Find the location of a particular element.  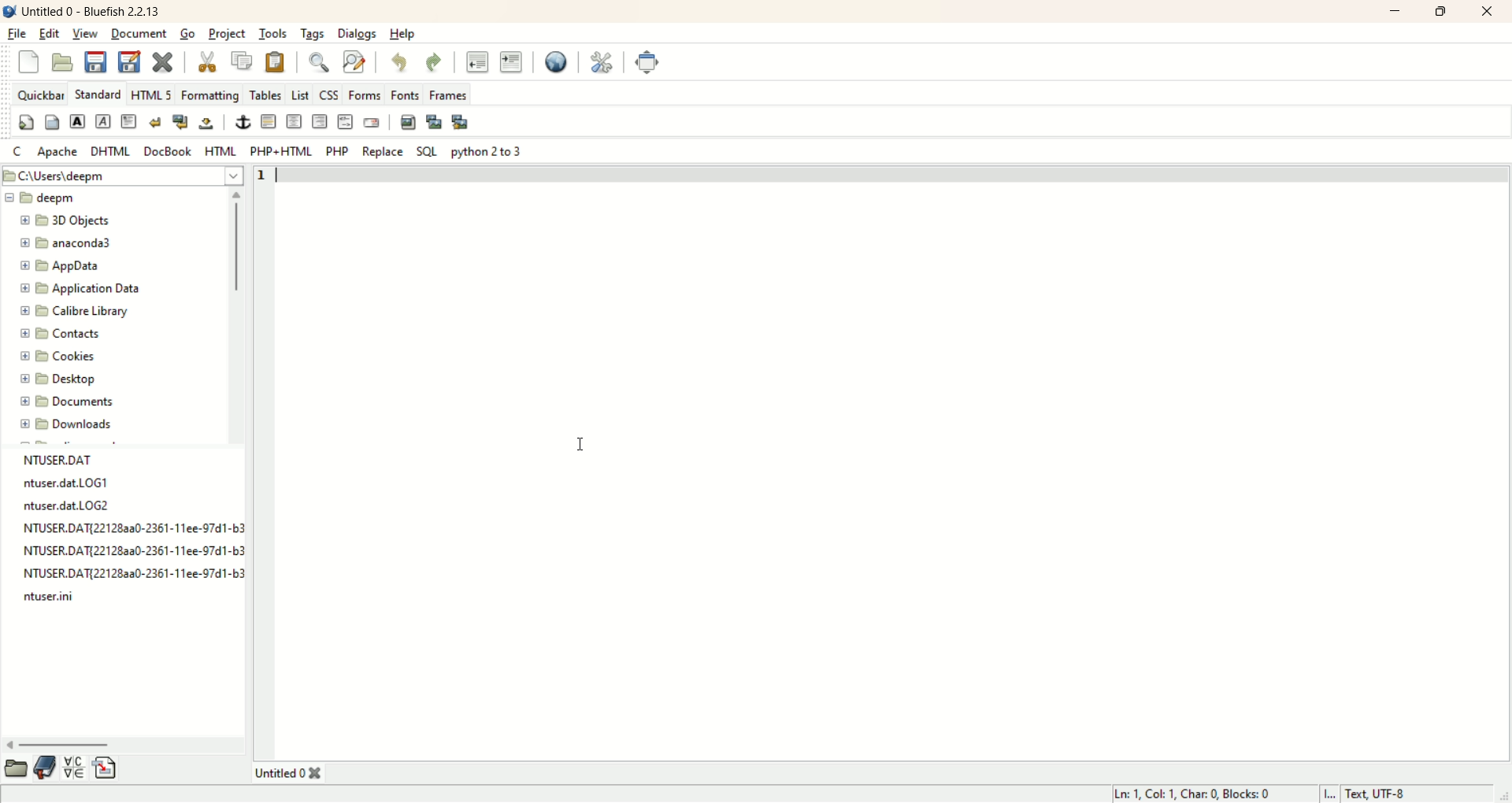

frames is located at coordinates (448, 93).